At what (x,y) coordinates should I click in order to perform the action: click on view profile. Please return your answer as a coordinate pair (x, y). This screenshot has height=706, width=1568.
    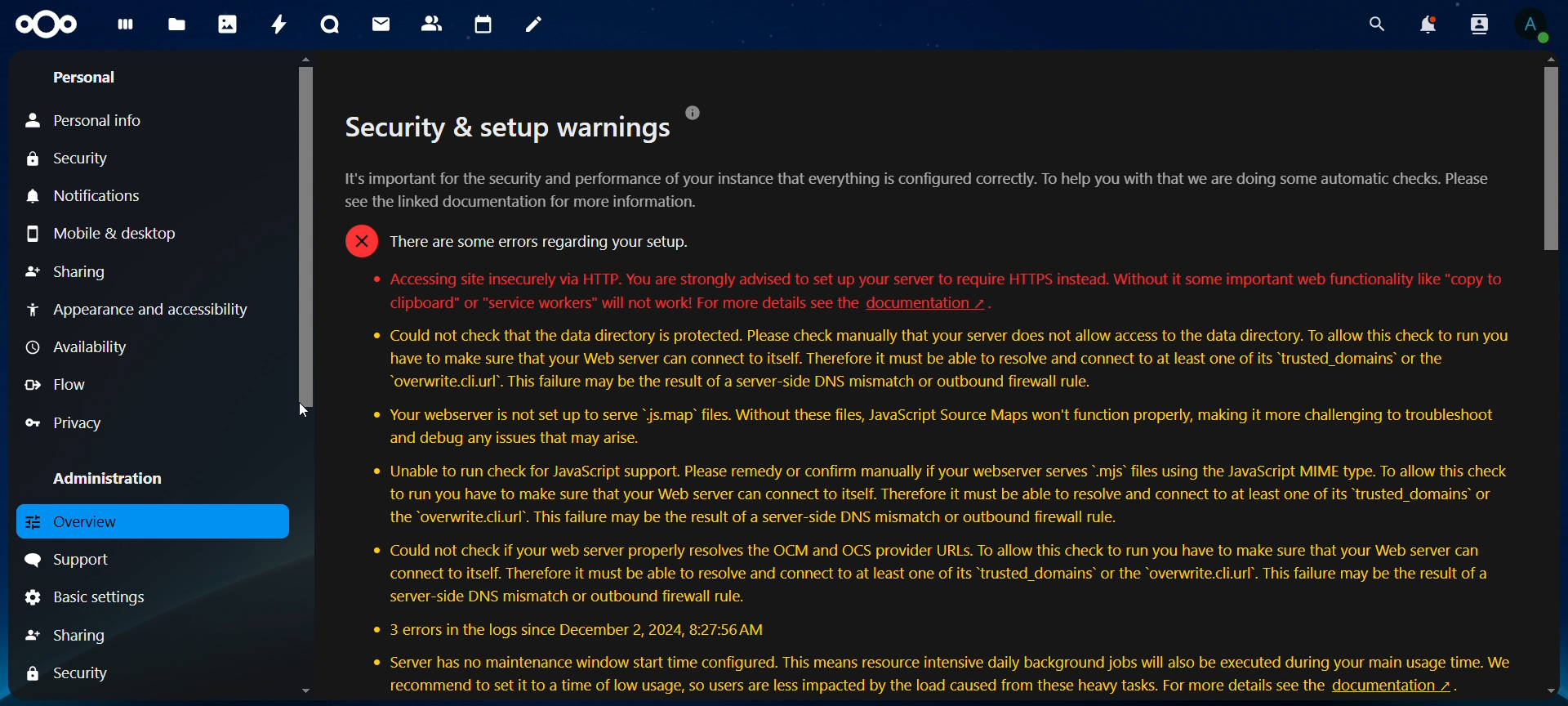
    Looking at the image, I should click on (1531, 25).